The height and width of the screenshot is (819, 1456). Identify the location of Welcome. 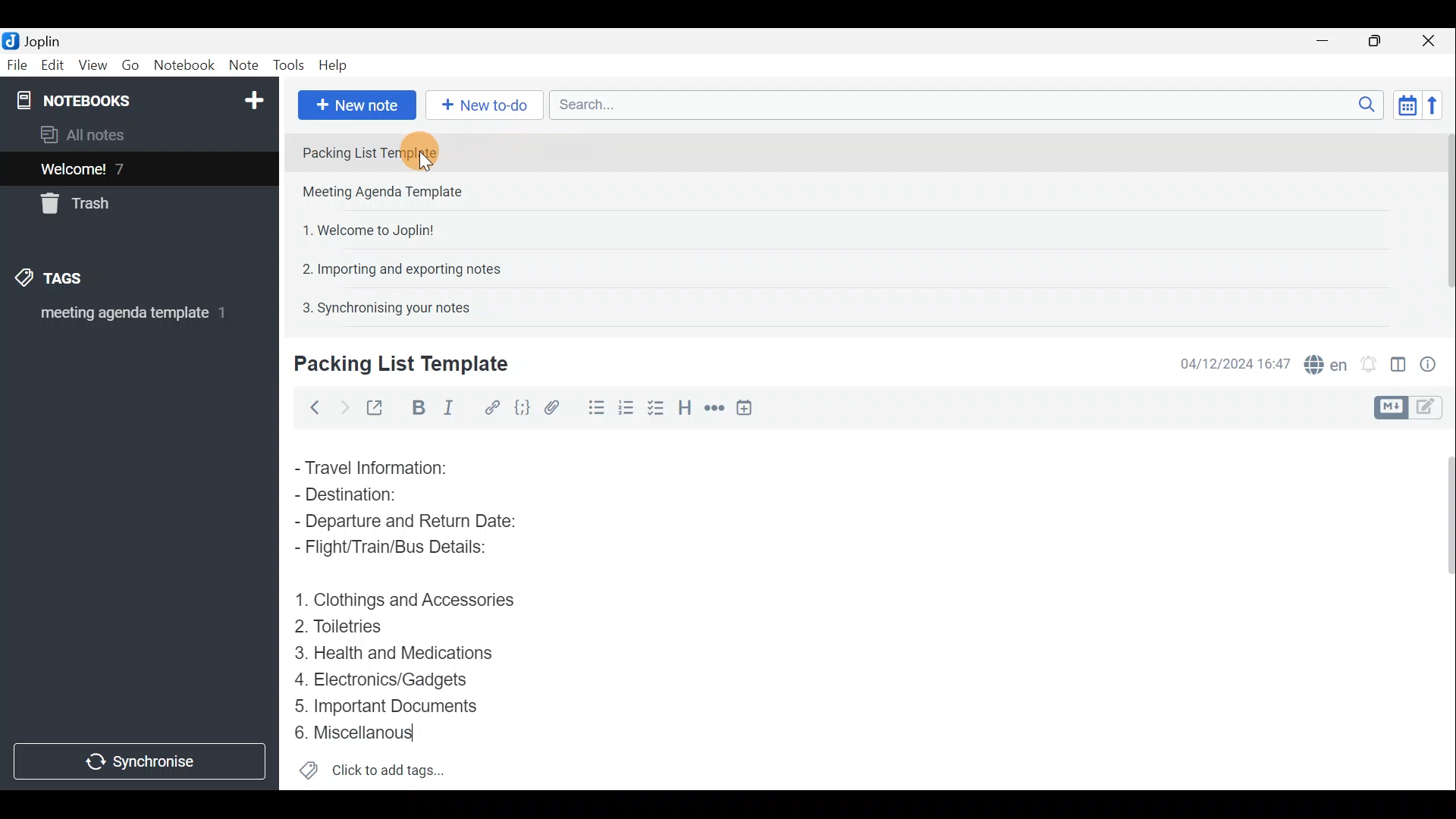
(116, 168).